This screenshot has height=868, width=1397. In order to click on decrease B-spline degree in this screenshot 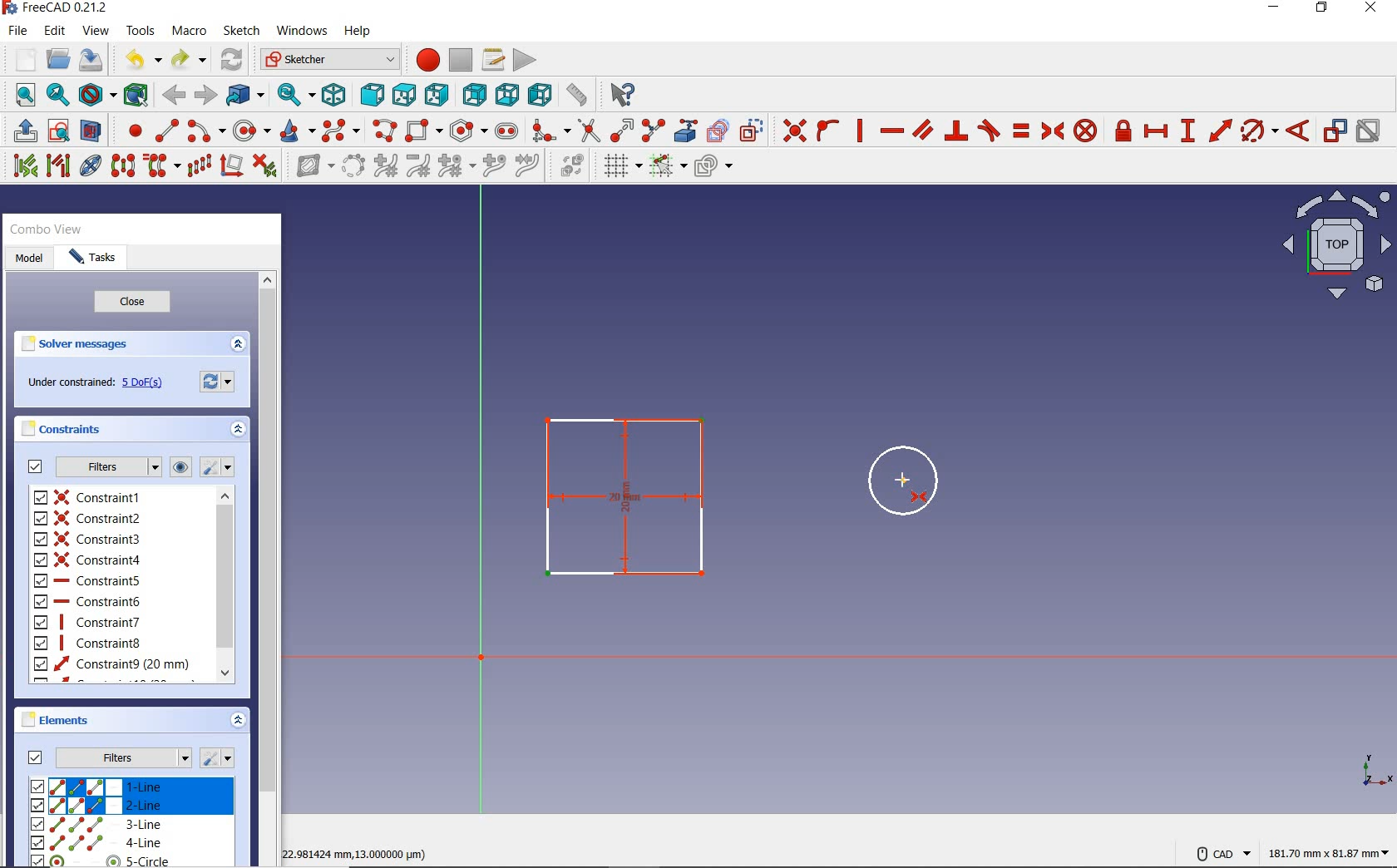, I will do `click(417, 165)`.